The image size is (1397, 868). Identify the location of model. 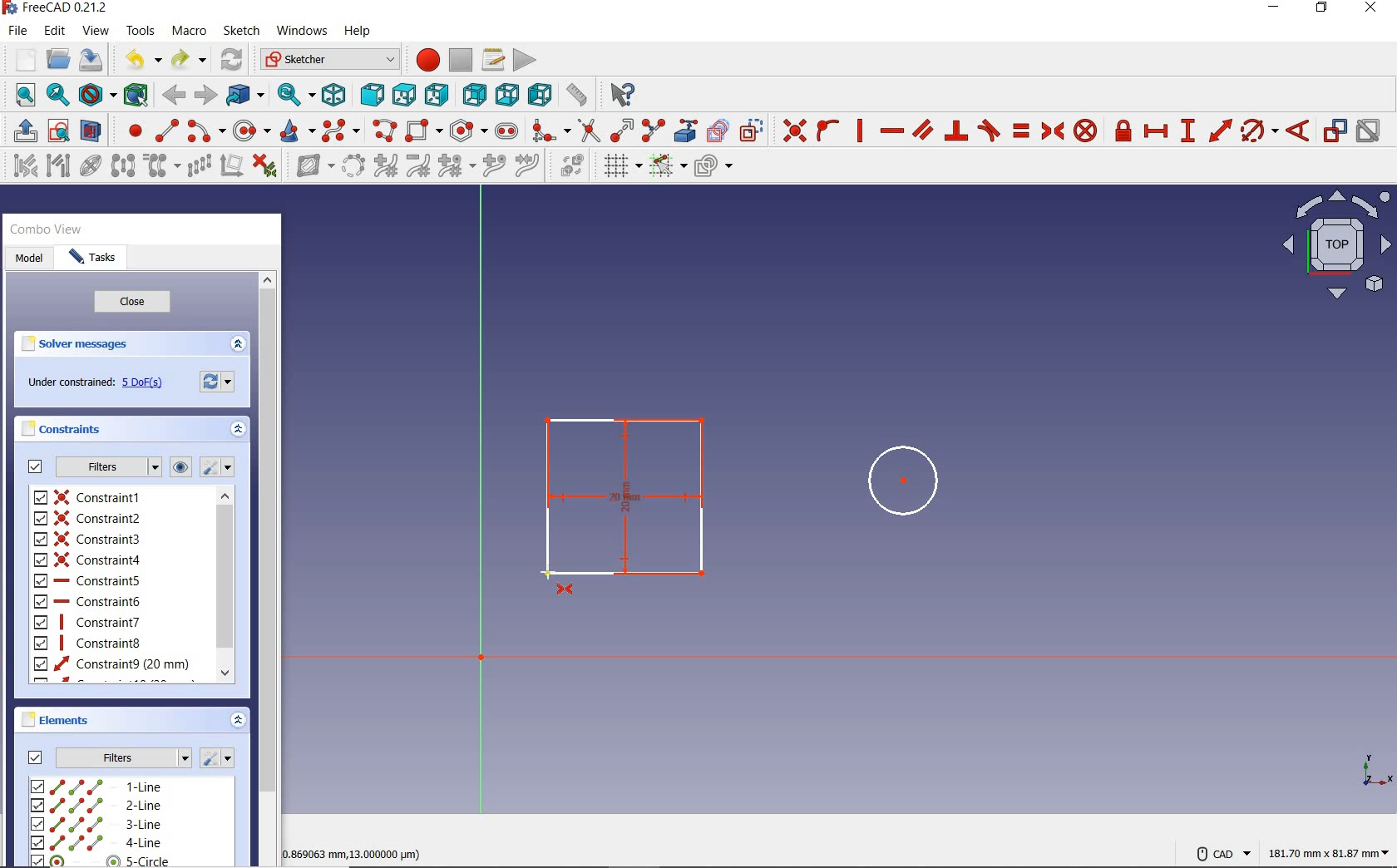
(31, 262).